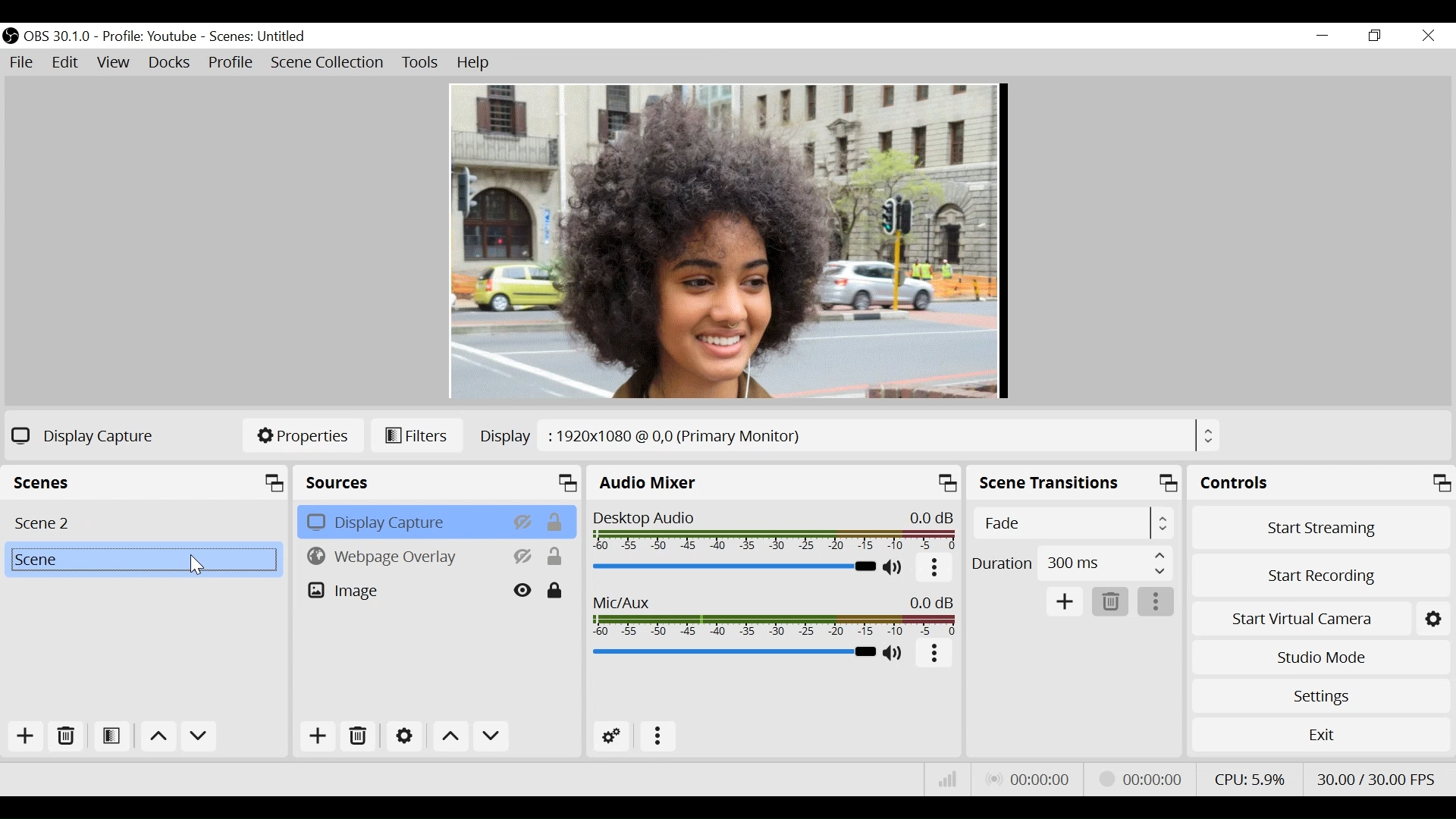 This screenshot has width=1456, height=819. What do you see at coordinates (198, 737) in the screenshot?
I see `Move down` at bounding box center [198, 737].